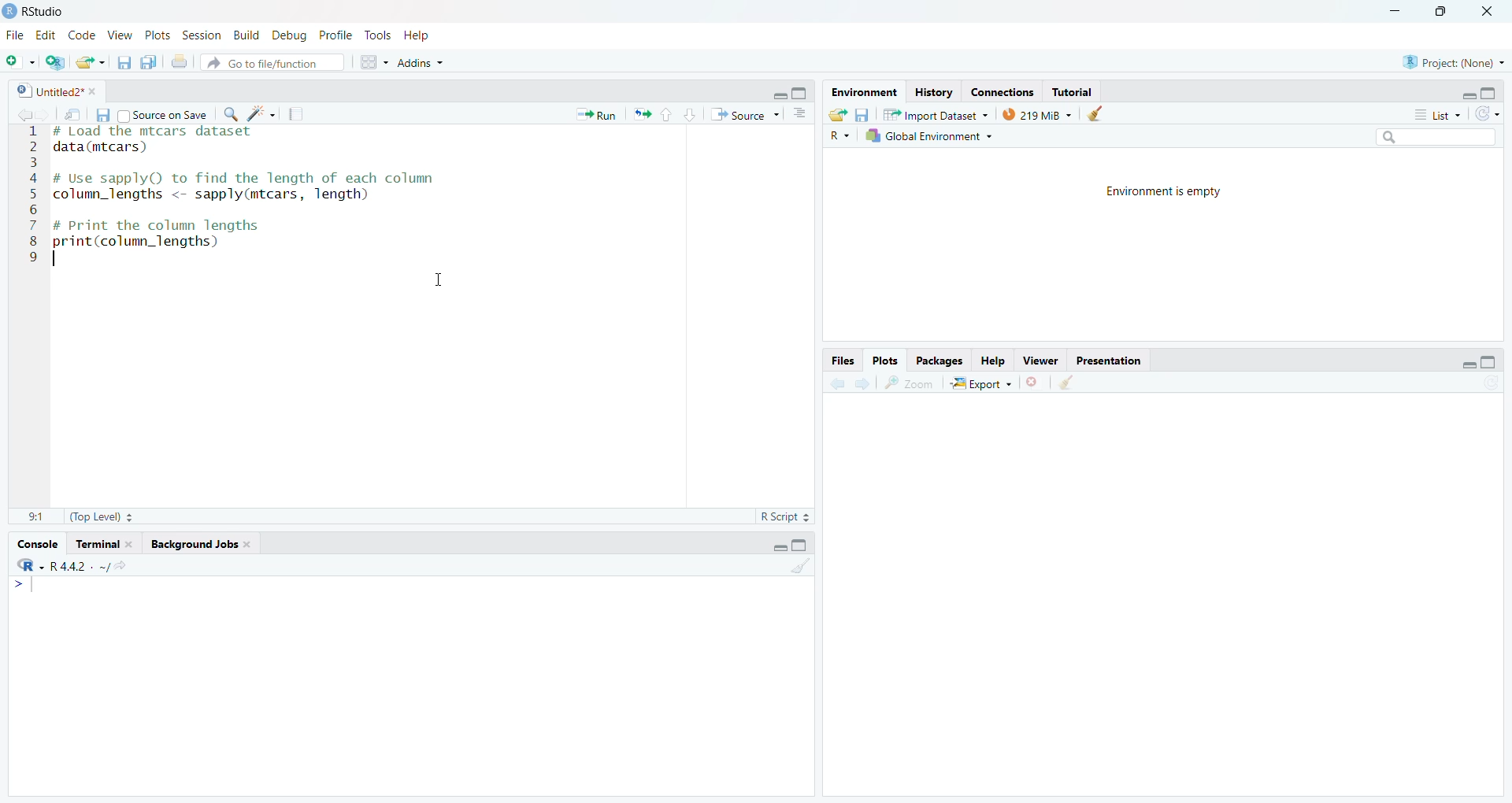  Describe the element at coordinates (1469, 364) in the screenshot. I see `Hide` at that location.